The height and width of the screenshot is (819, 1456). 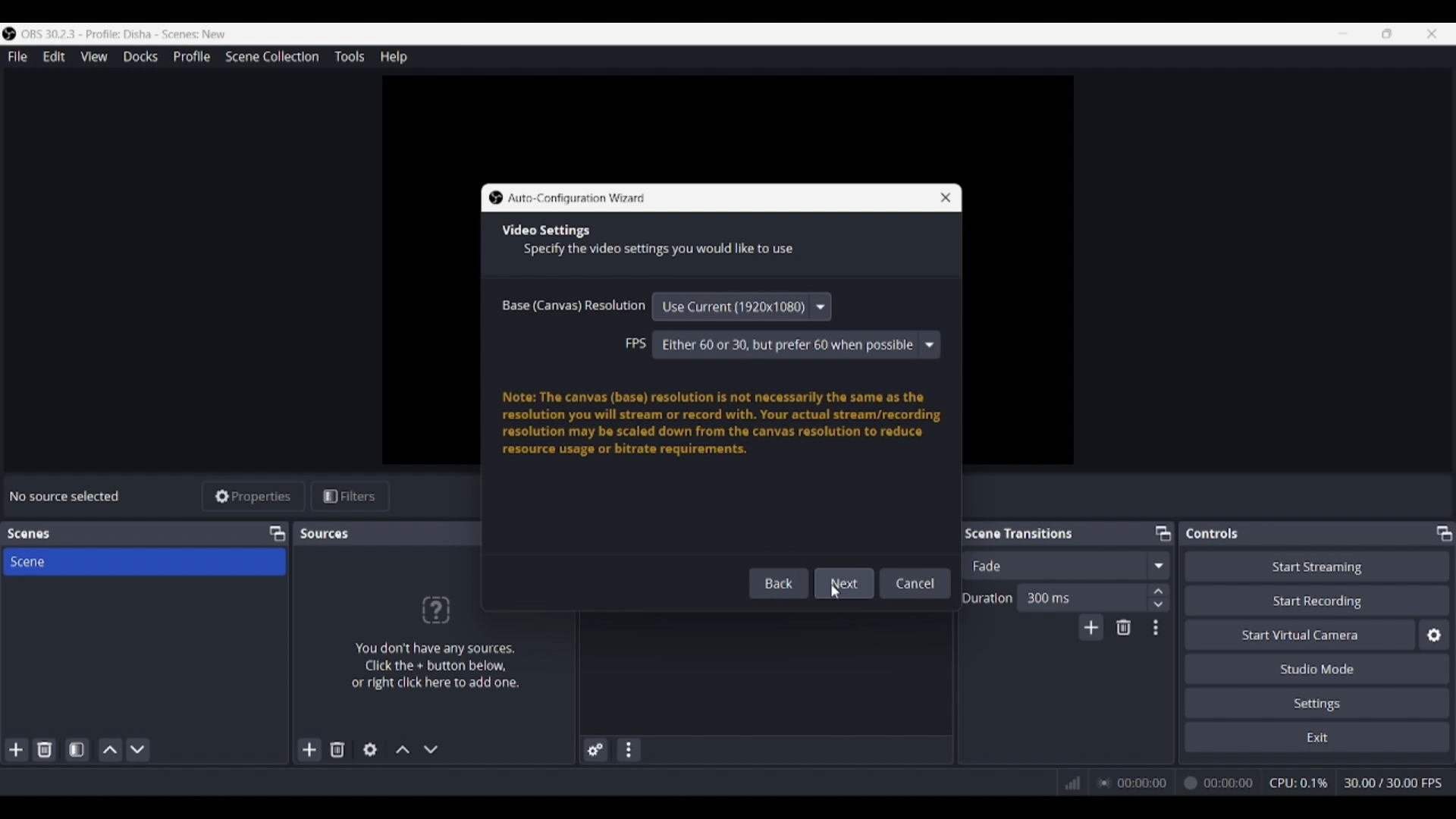 I want to click on Indicates Base resolution options, so click(x=573, y=305).